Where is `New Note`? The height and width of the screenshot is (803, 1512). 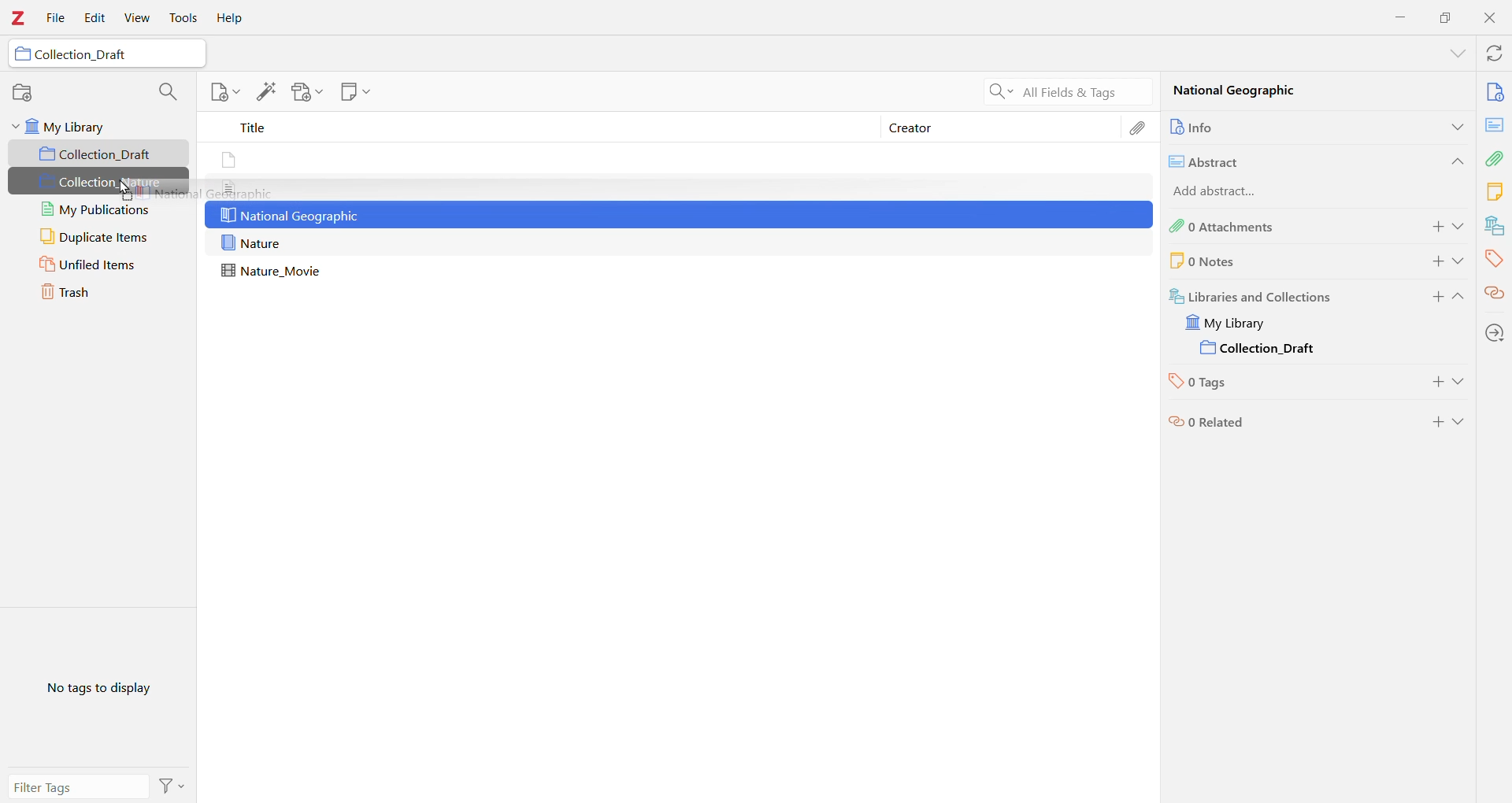 New Note is located at coordinates (355, 92).